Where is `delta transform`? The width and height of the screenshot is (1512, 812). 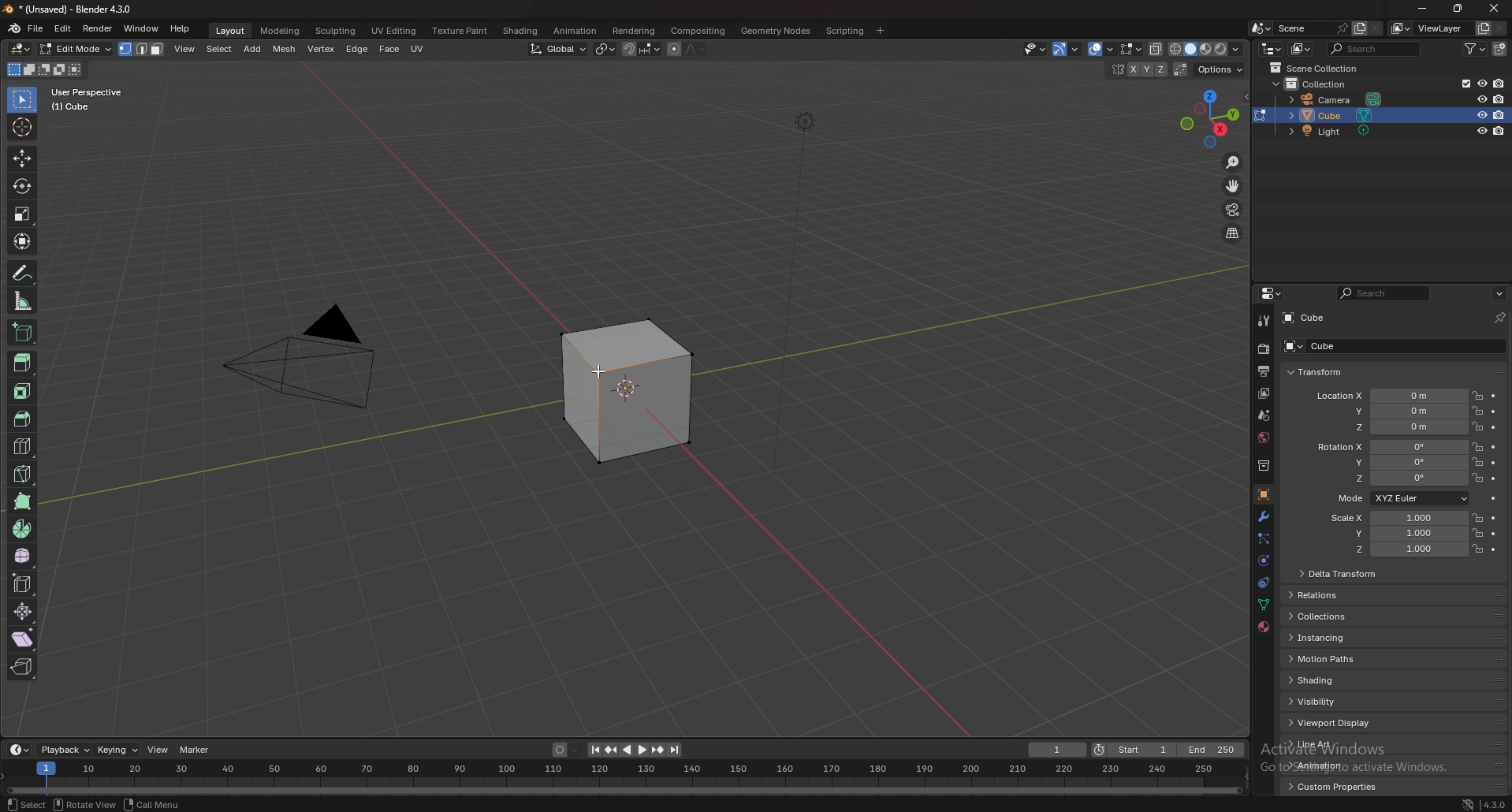
delta transform is located at coordinates (1344, 574).